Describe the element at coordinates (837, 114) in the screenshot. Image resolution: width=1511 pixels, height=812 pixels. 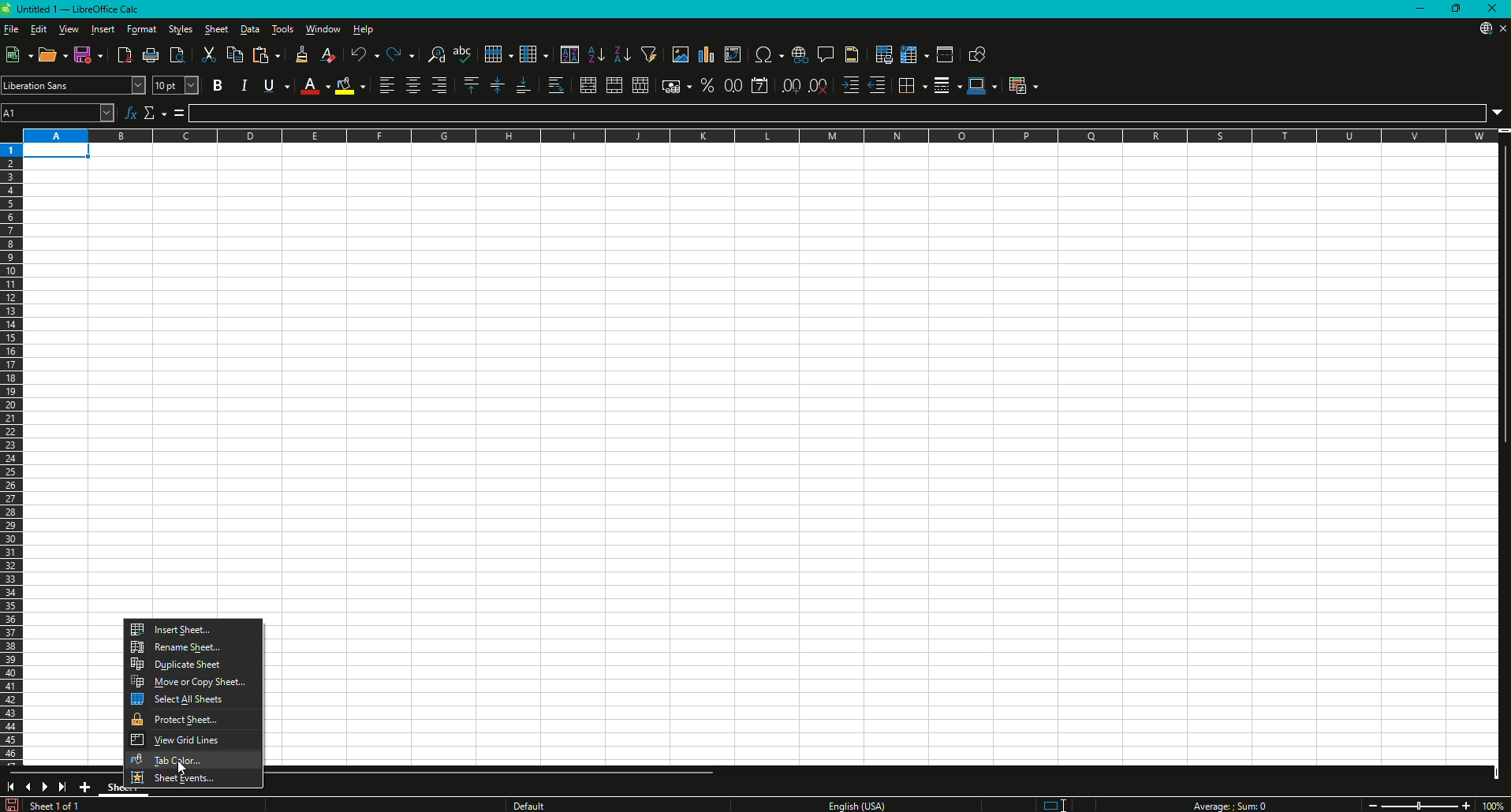
I see `Formula` at that location.